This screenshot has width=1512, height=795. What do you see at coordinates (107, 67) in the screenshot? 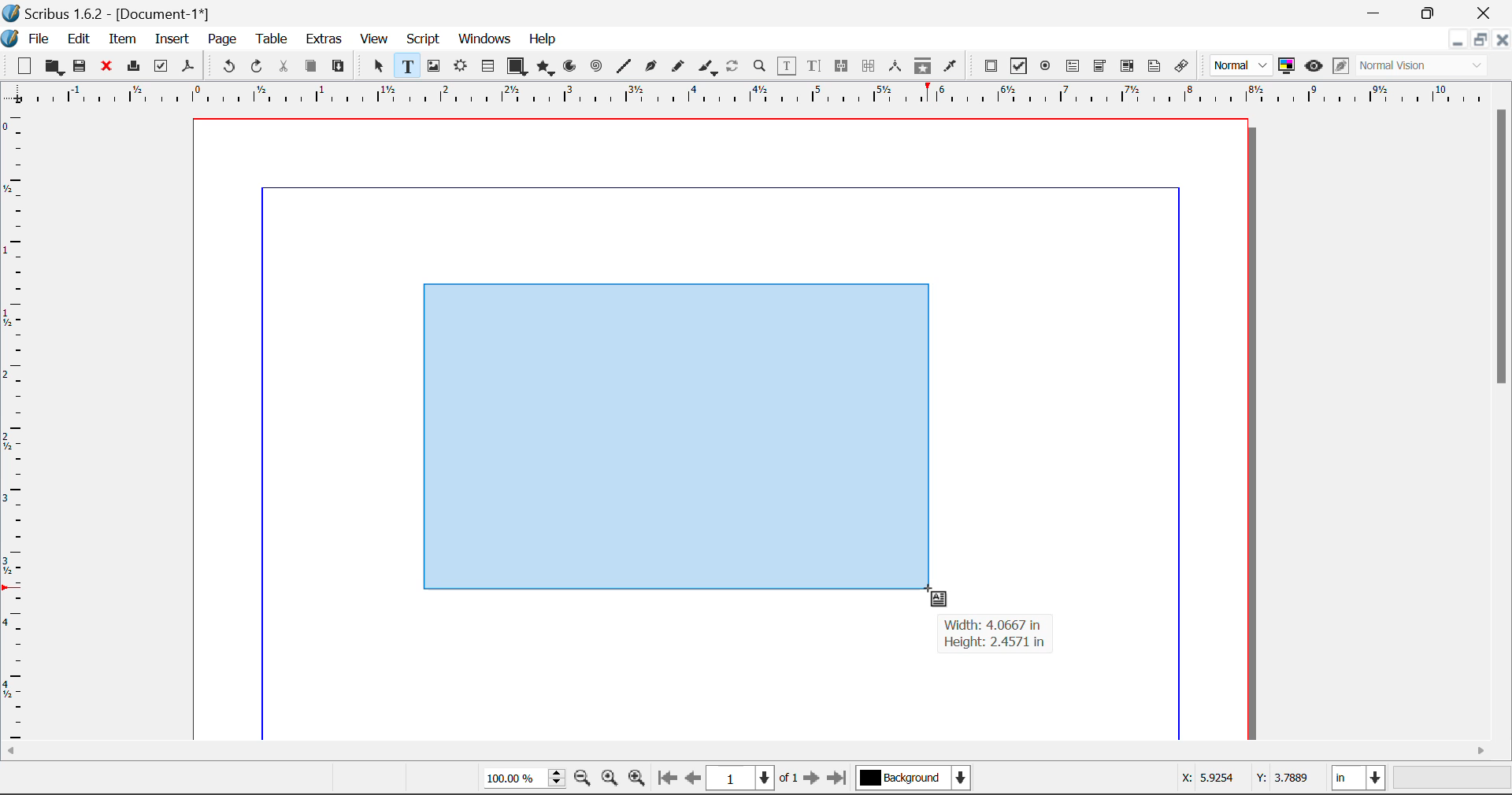
I see `Discard` at bounding box center [107, 67].